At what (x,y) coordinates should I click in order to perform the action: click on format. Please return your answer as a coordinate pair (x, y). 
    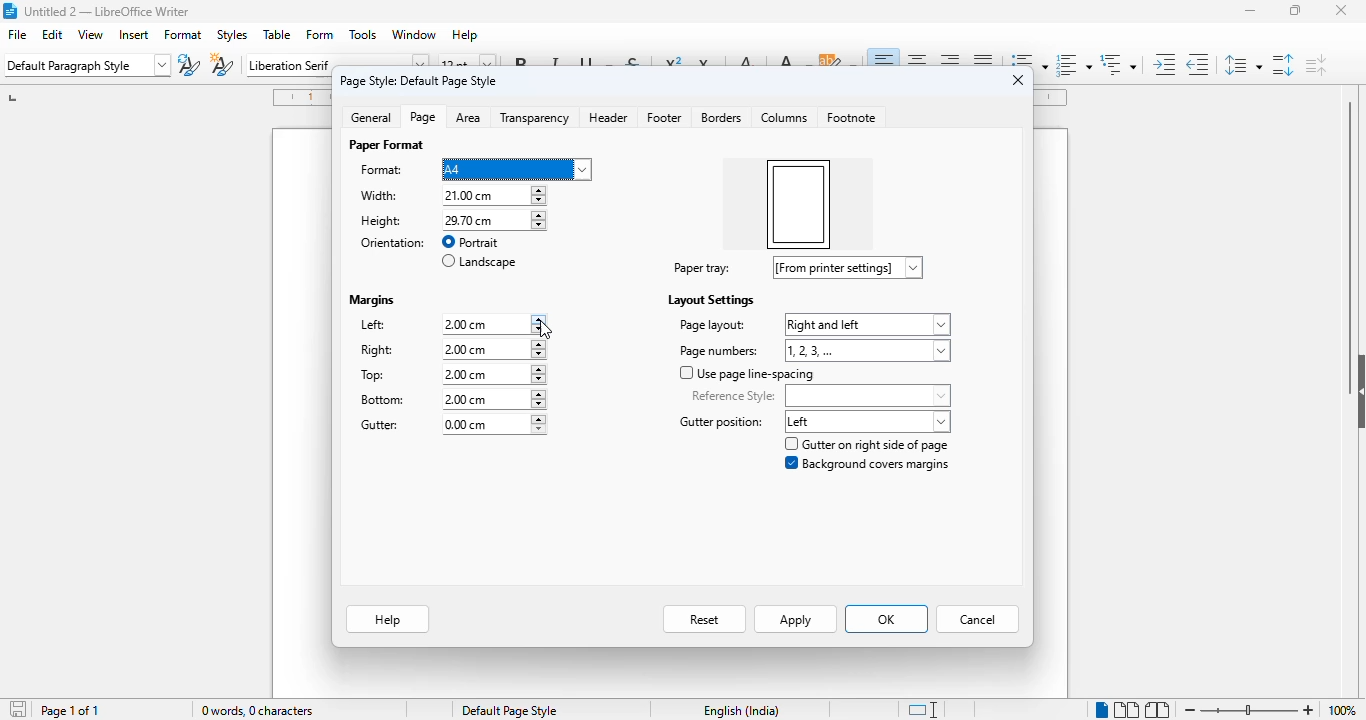
    Looking at the image, I should click on (184, 34).